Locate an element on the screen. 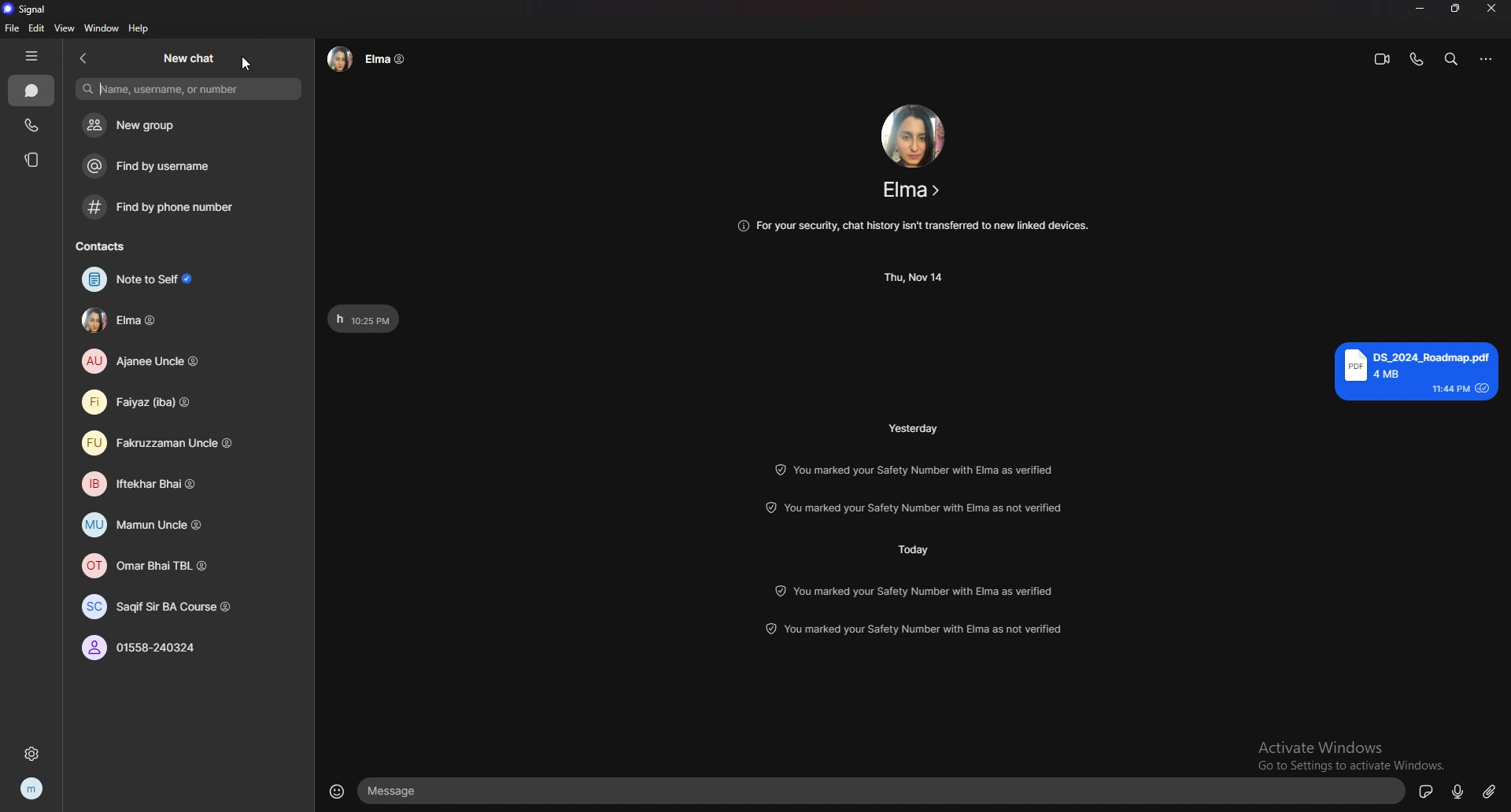 The image size is (1511, 812). cursor is located at coordinates (250, 65).